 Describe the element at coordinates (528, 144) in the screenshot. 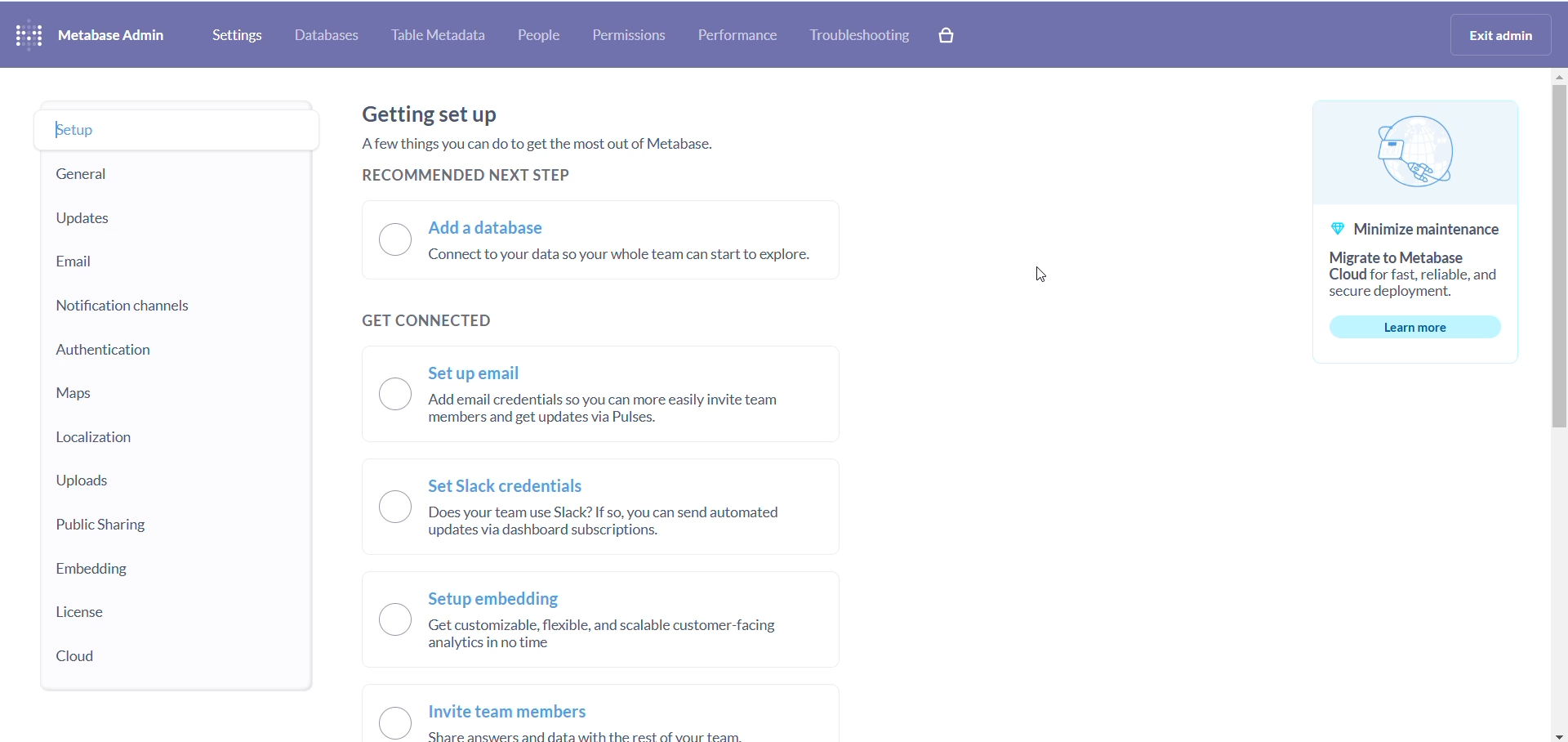

I see `A few things you can do to get most out of Metabase` at that location.